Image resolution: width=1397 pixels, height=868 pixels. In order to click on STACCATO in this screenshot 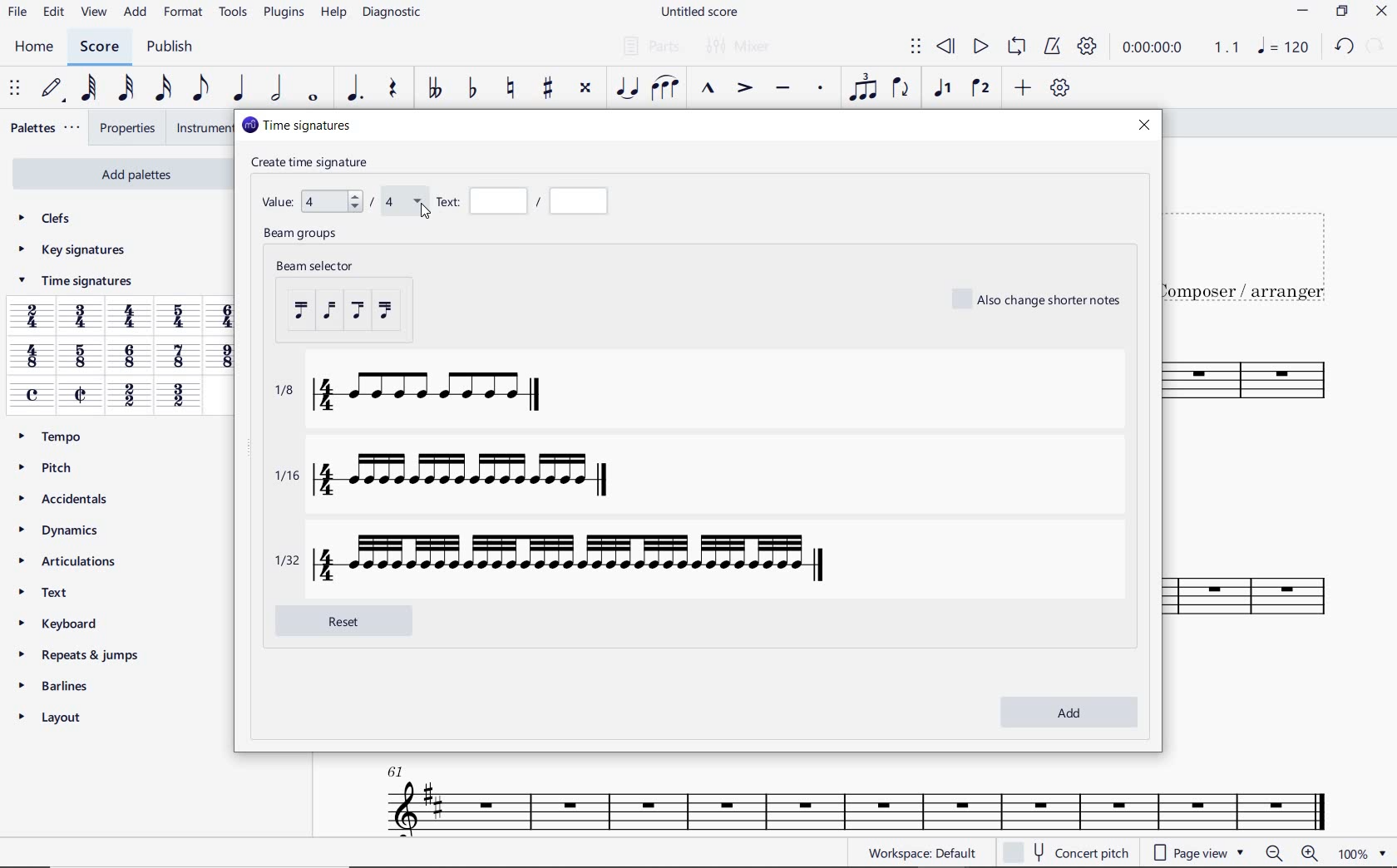, I will do `click(822, 90)`.